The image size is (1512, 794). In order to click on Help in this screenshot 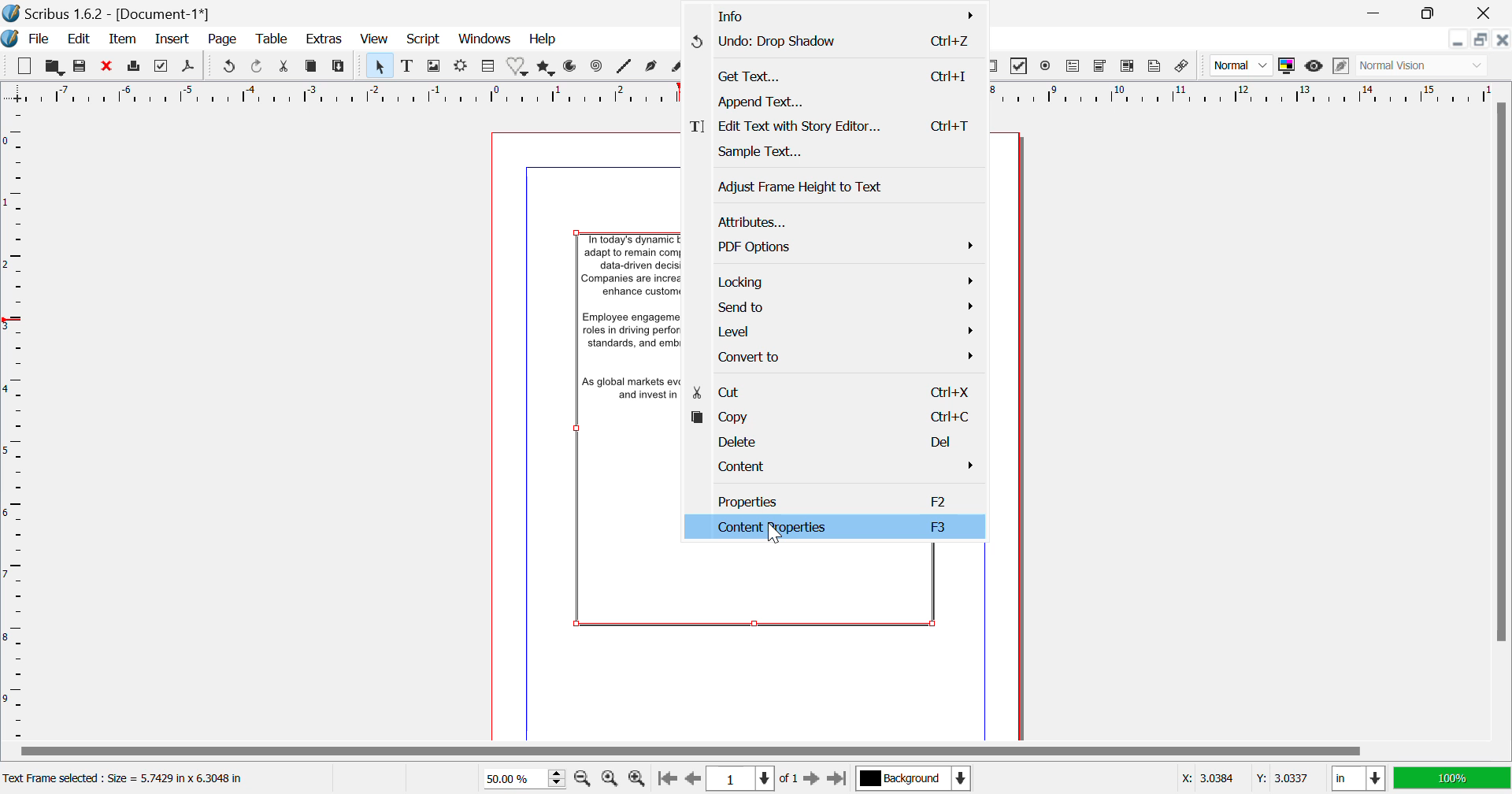, I will do `click(543, 39)`.